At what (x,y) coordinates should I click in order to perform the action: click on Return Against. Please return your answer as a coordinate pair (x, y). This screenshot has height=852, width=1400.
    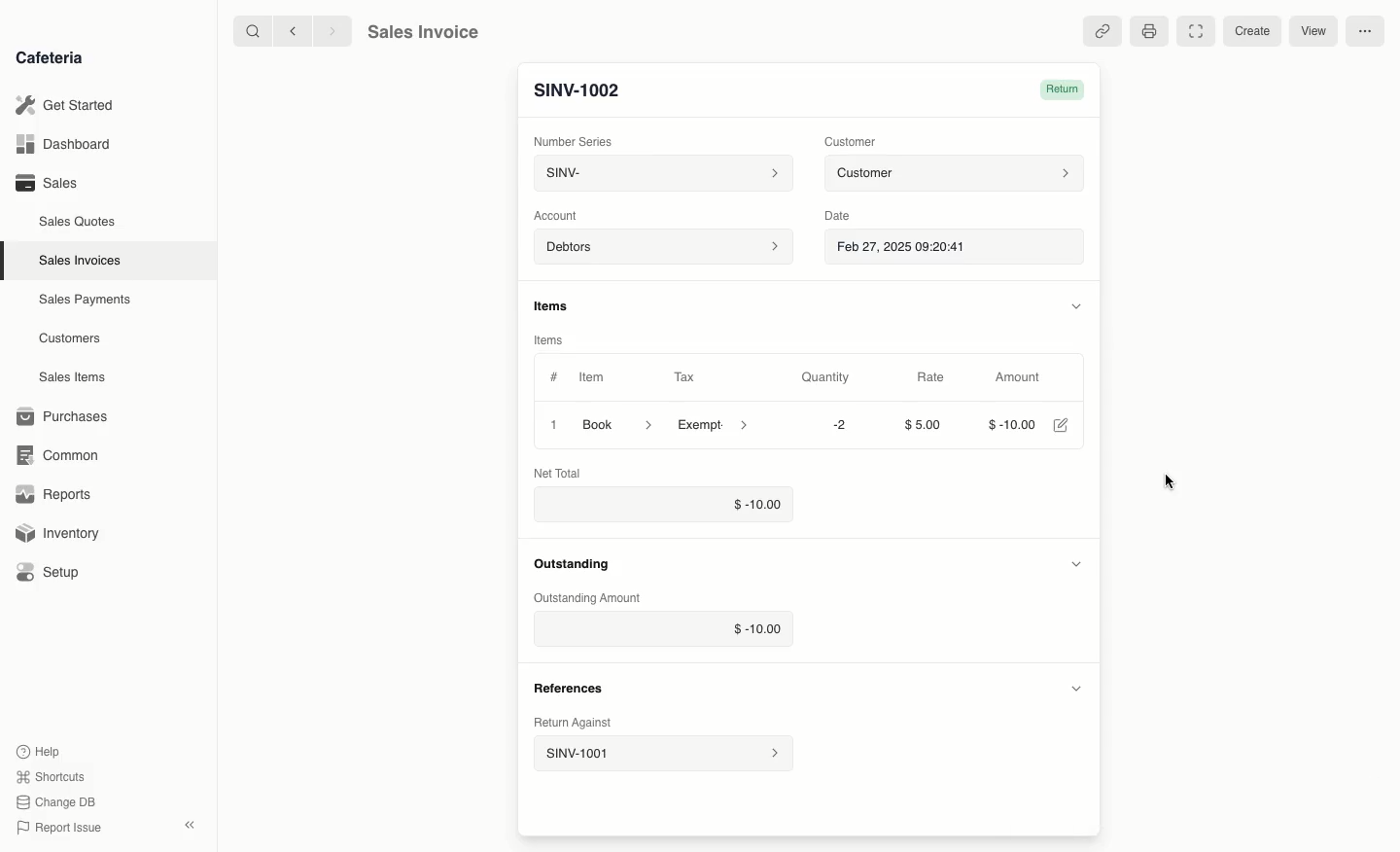
    Looking at the image, I should click on (576, 724).